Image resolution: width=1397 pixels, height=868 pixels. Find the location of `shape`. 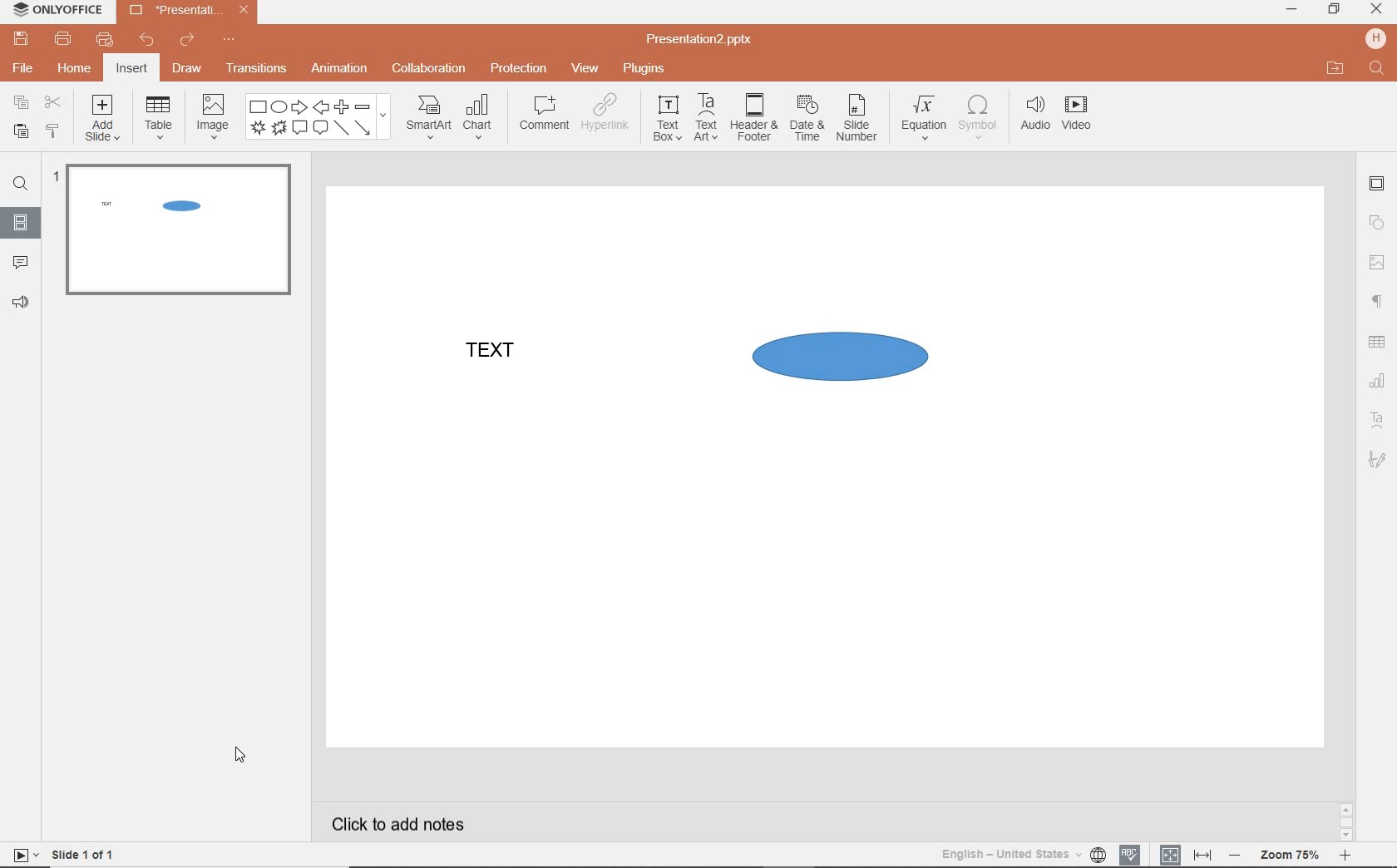

shape is located at coordinates (318, 118).